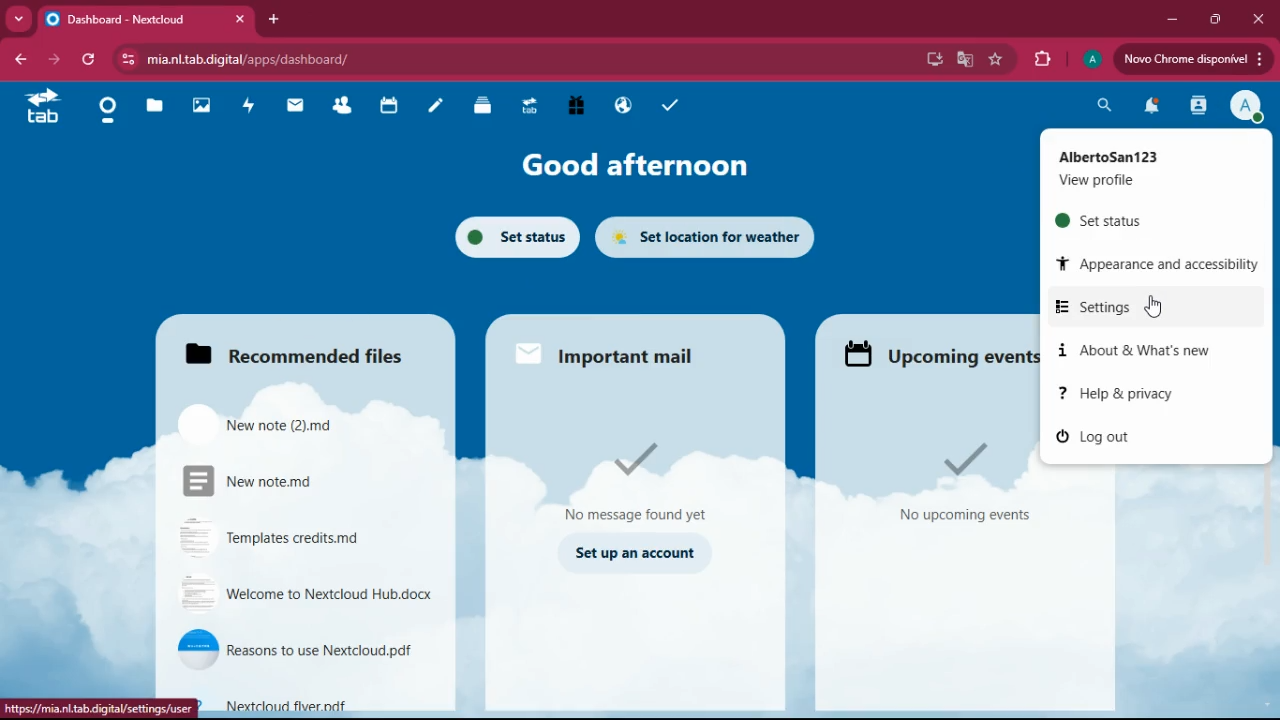 This screenshot has height=720, width=1280. I want to click on activity, so click(245, 107).